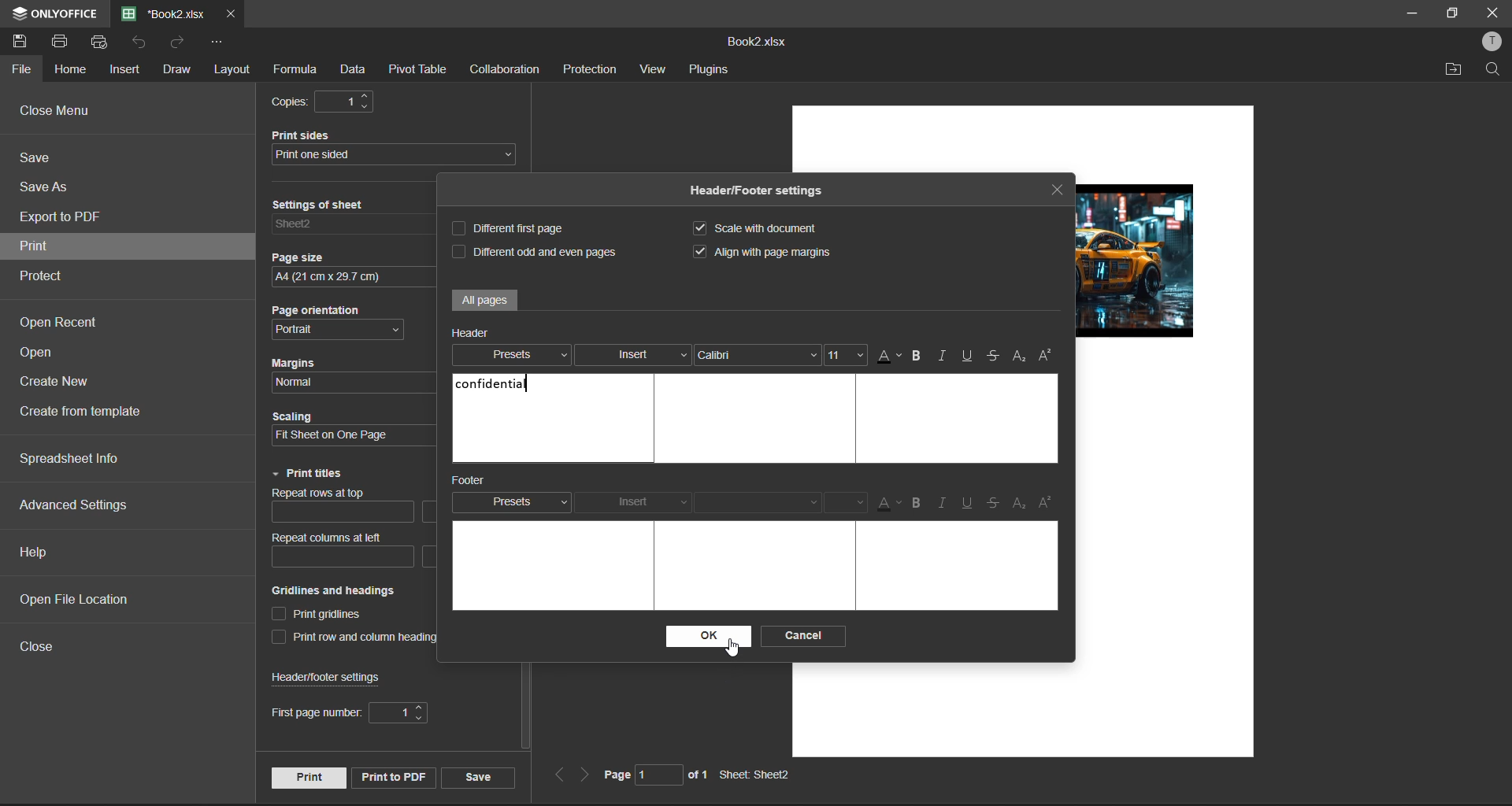  Describe the element at coordinates (145, 45) in the screenshot. I see `undo` at that location.